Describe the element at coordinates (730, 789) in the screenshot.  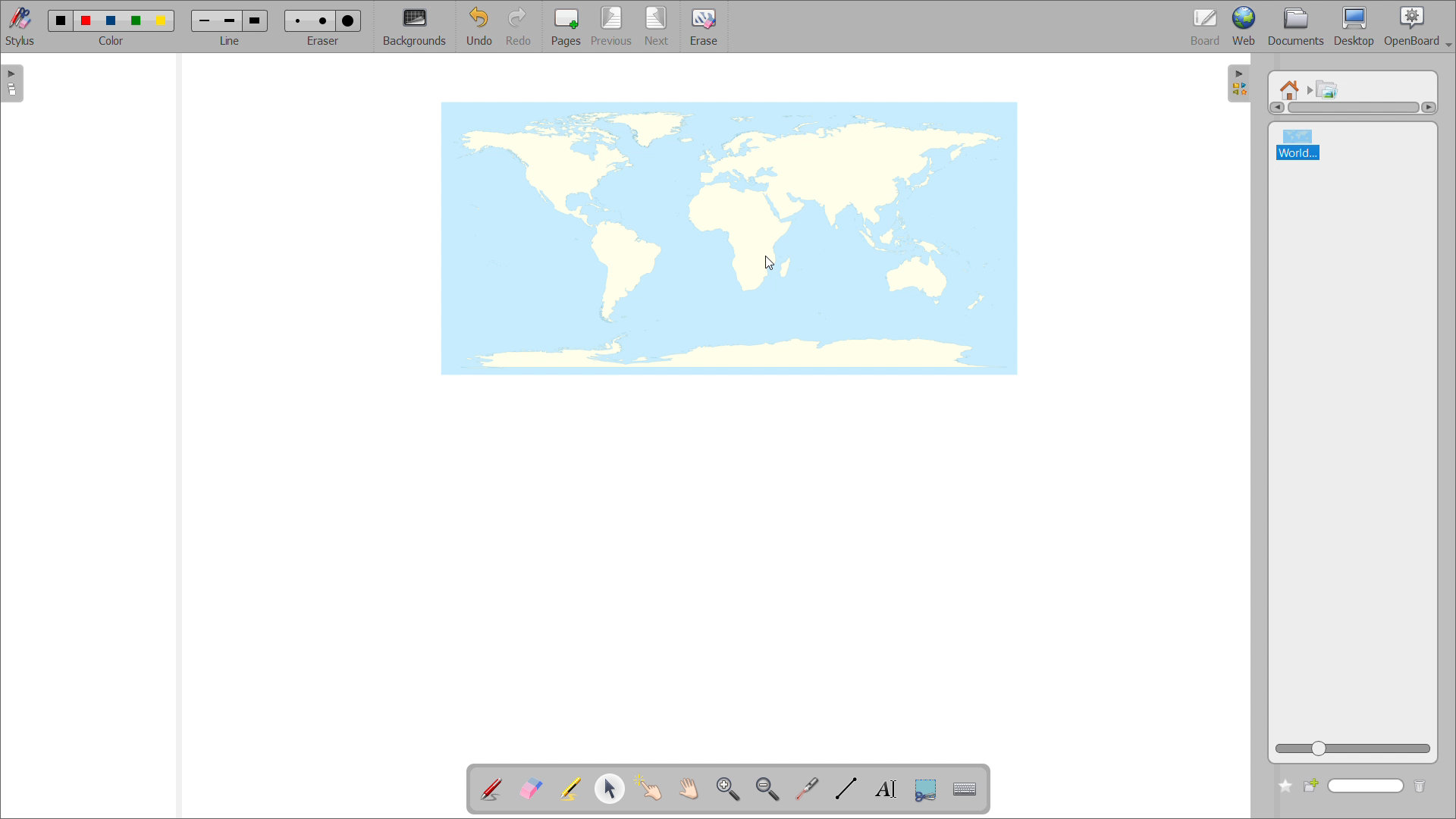
I see `zoom in` at that location.